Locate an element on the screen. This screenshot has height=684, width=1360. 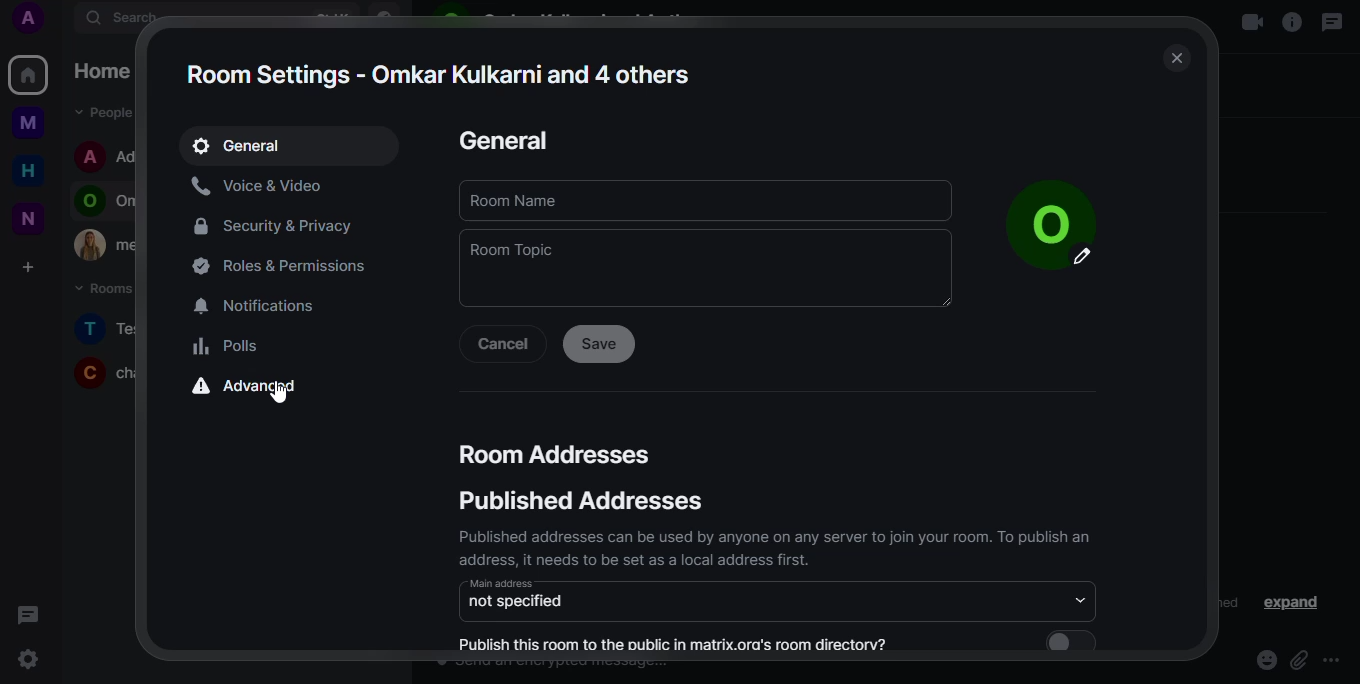
close is located at coordinates (1177, 59).